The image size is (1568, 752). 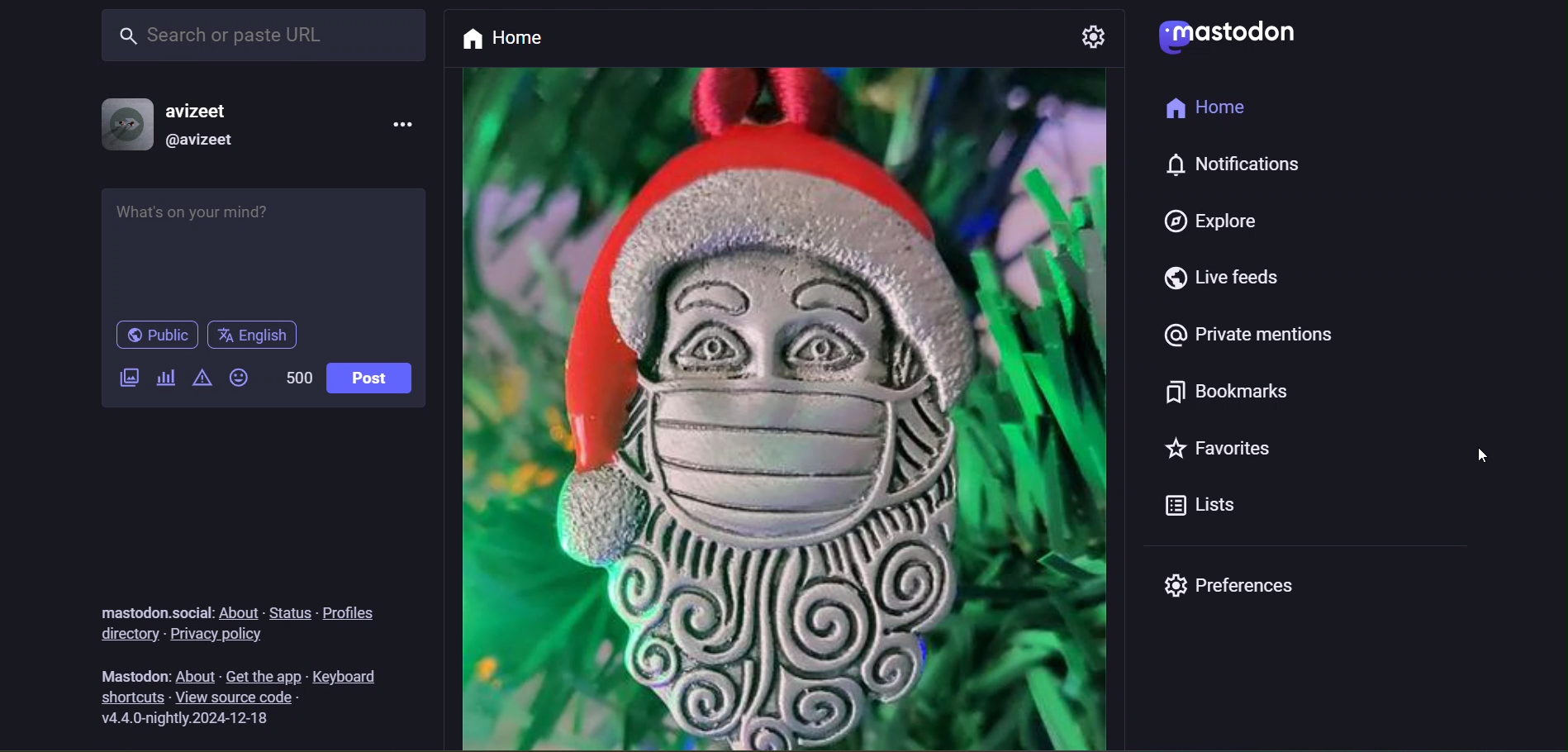 I want to click on whats on your mind, so click(x=265, y=247).